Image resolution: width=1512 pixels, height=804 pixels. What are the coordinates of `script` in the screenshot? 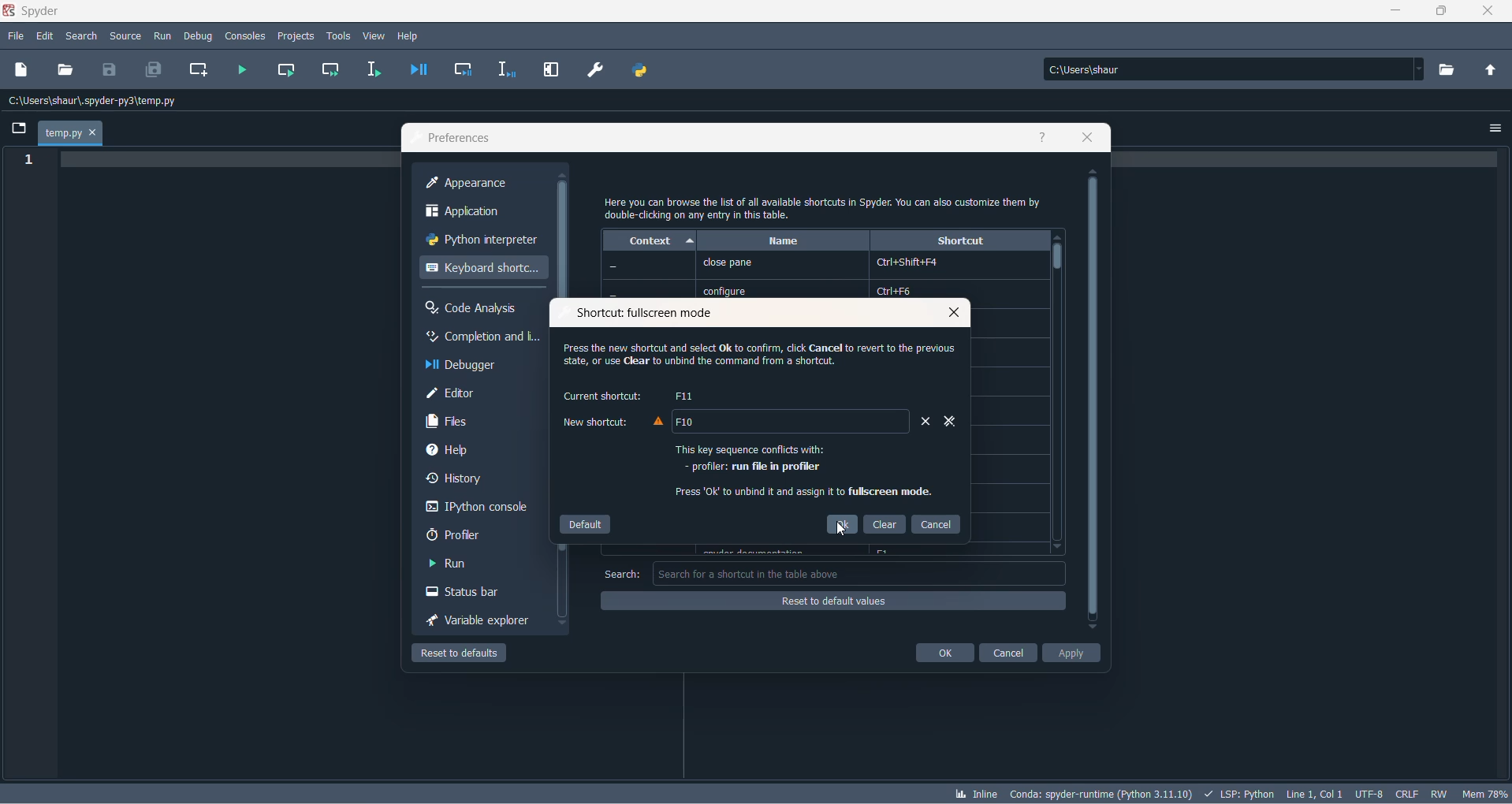 It's located at (1239, 792).